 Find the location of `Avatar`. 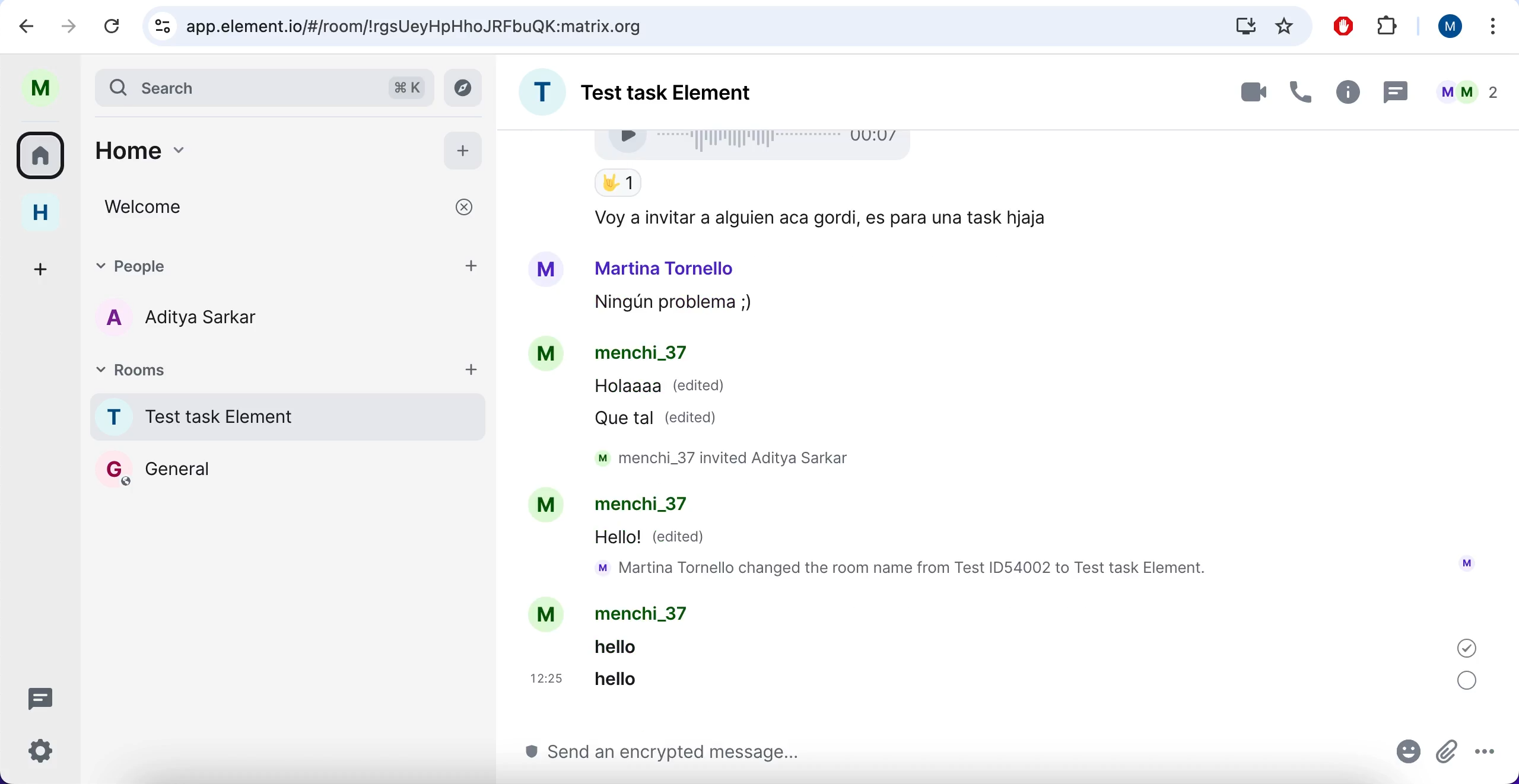

Avatar is located at coordinates (549, 267).